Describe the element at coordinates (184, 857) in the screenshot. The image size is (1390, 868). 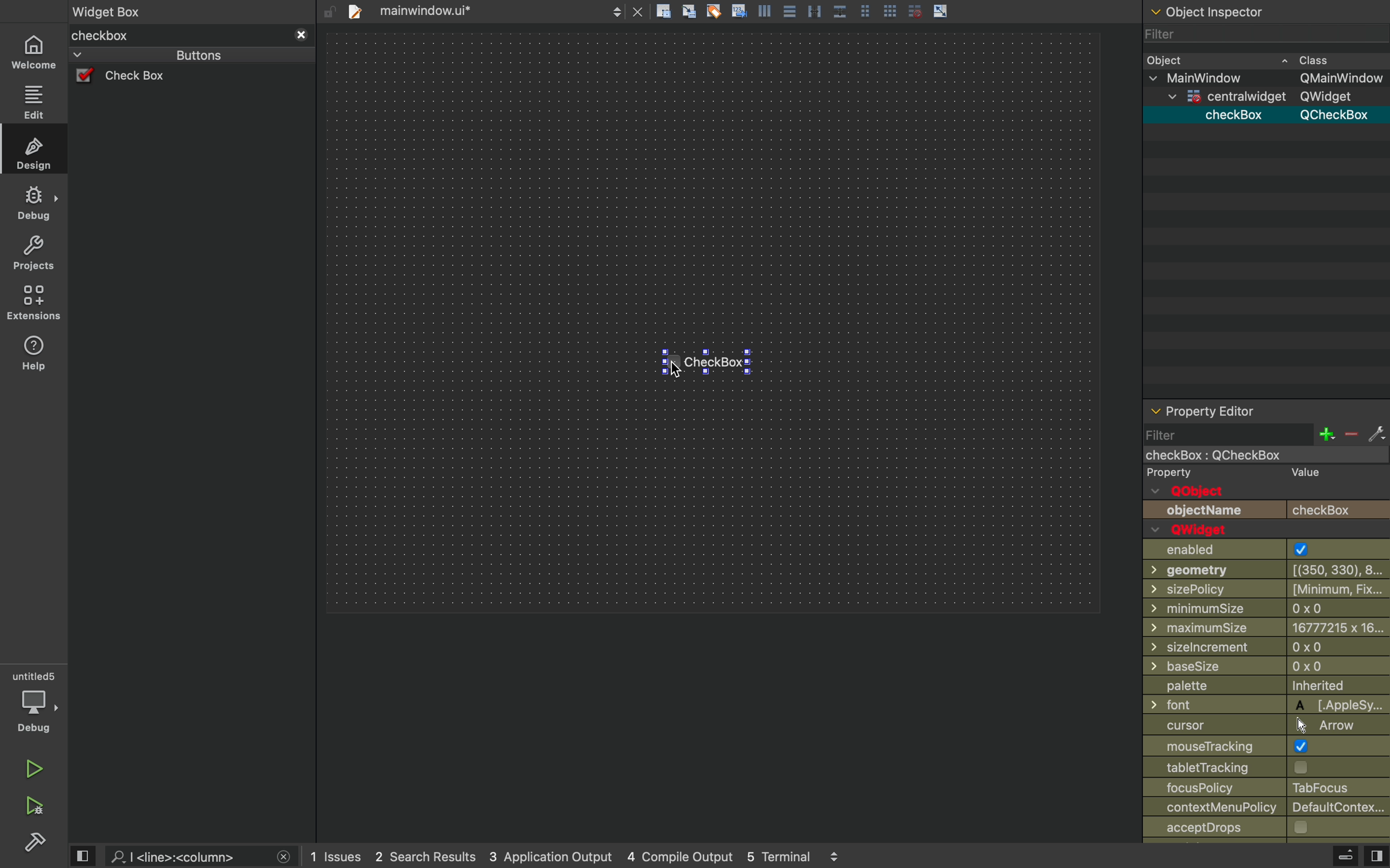
I see `search` at that location.